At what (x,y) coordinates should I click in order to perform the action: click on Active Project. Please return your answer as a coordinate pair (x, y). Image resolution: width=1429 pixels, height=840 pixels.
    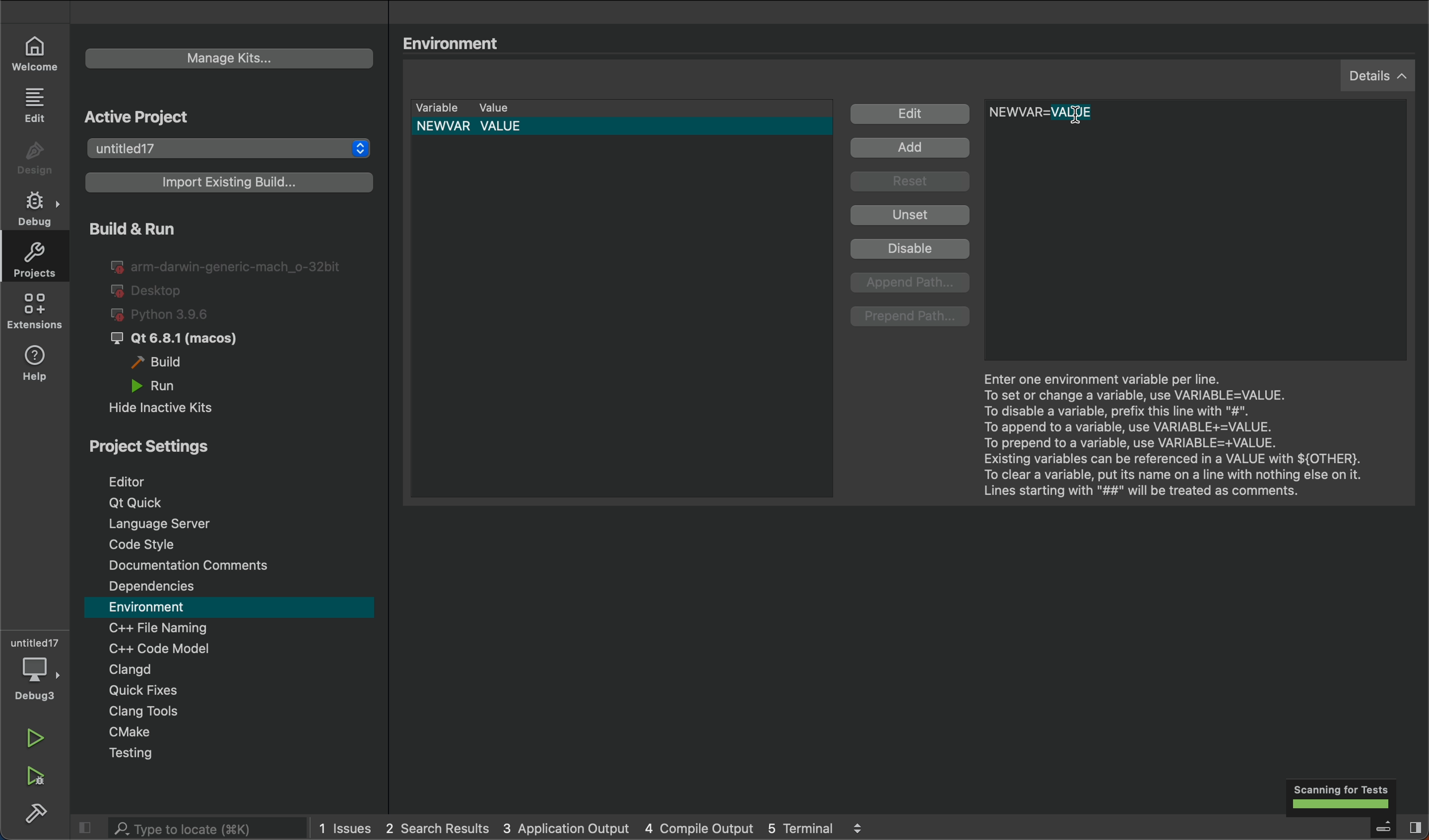
    Looking at the image, I should click on (200, 116).